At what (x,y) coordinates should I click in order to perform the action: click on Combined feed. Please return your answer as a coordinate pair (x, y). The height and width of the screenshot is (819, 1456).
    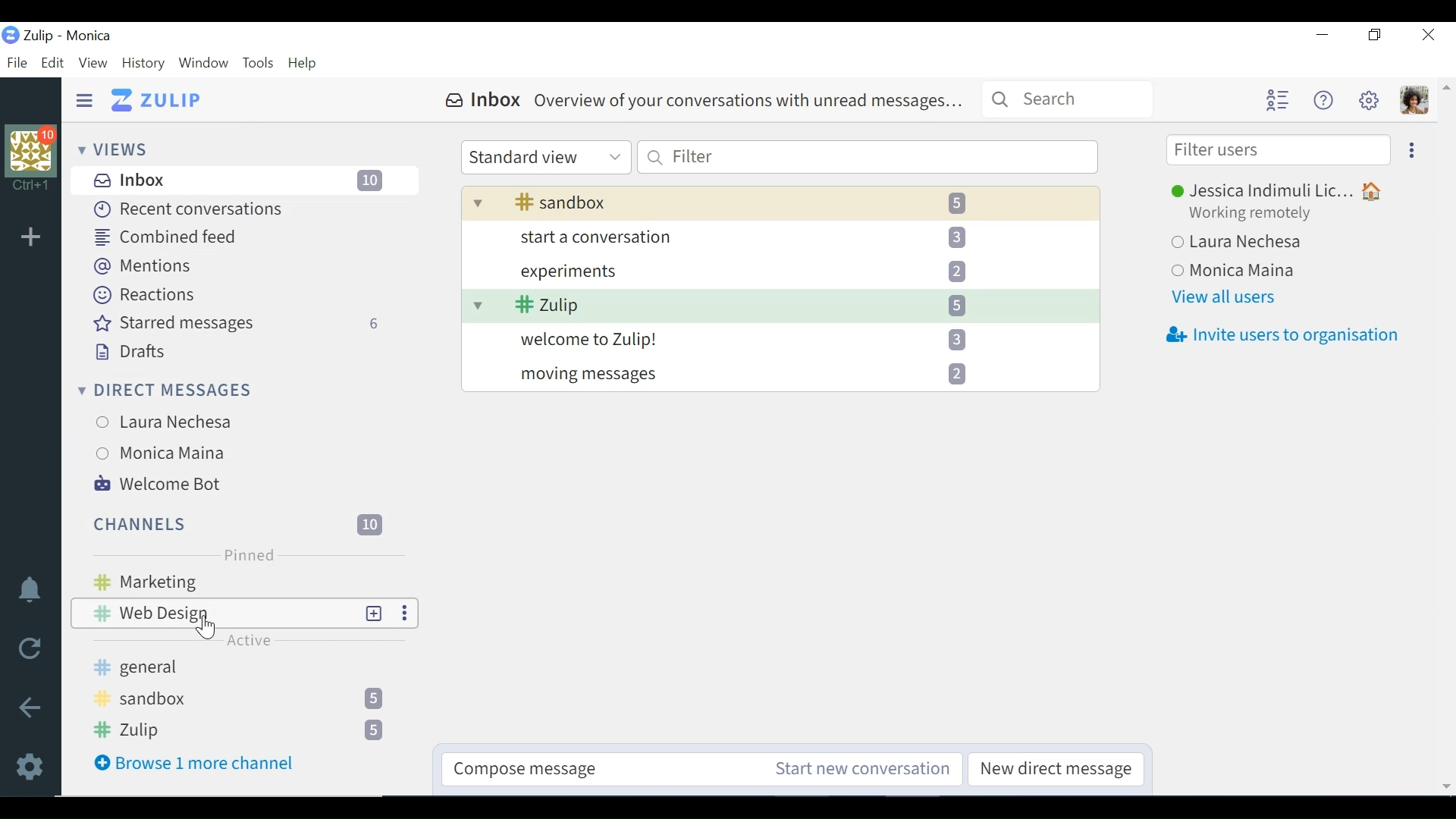
    Looking at the image, I should click on (167, 237).